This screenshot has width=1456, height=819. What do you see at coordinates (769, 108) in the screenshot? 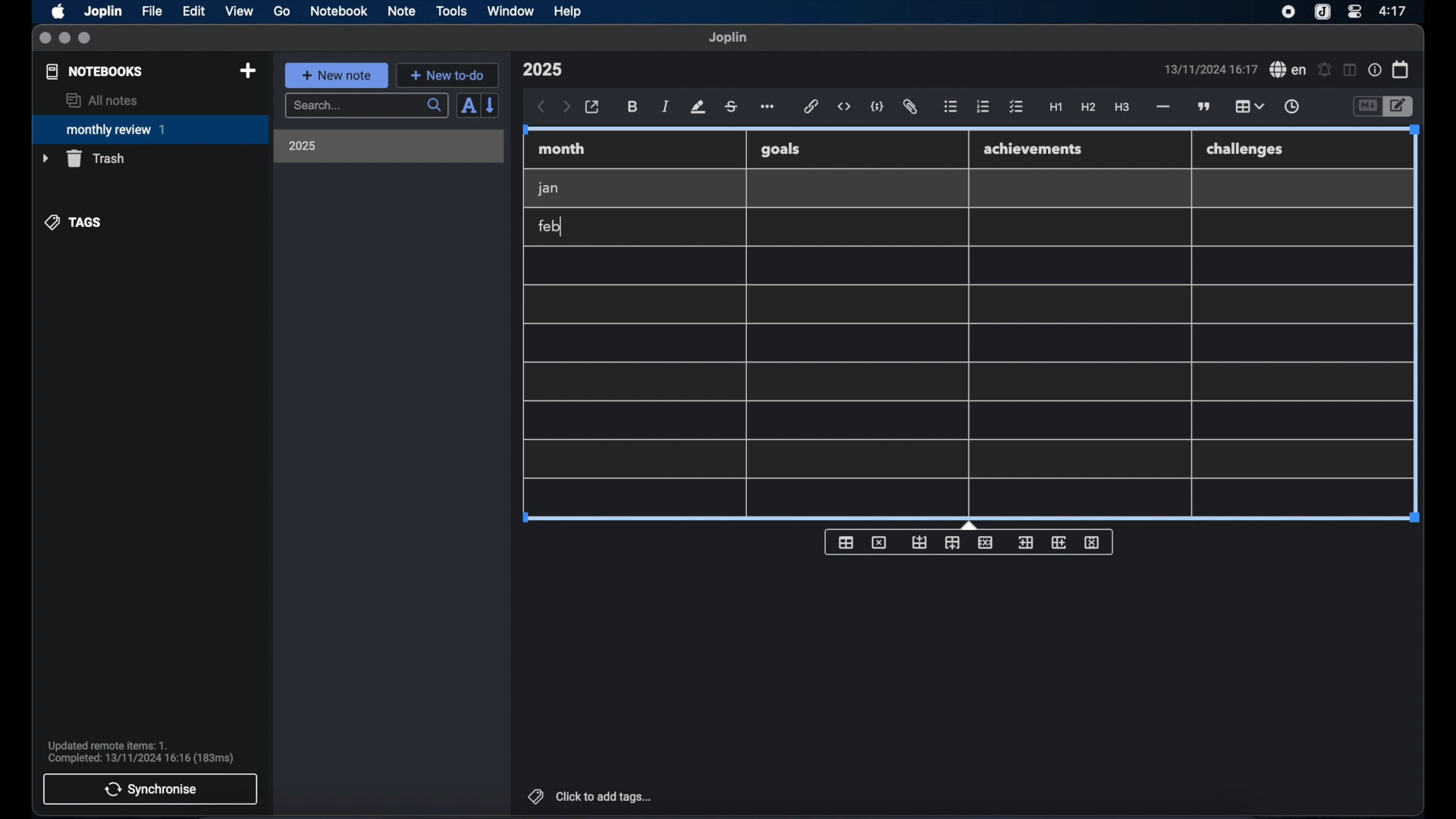
I see `more options` at bounding box center [769, 108].